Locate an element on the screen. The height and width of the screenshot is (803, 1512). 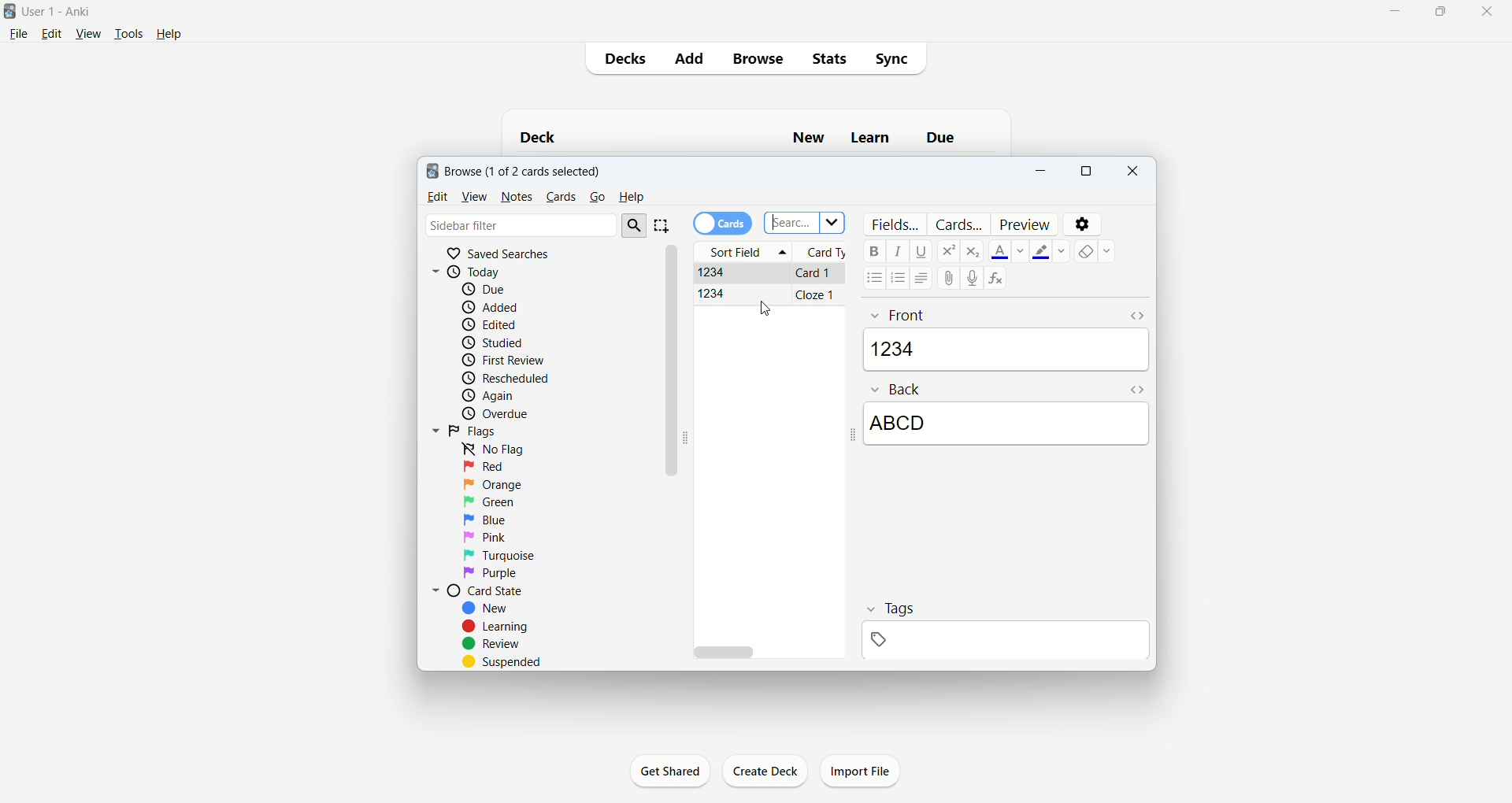
dropdown is located at coordinates (838, 223).